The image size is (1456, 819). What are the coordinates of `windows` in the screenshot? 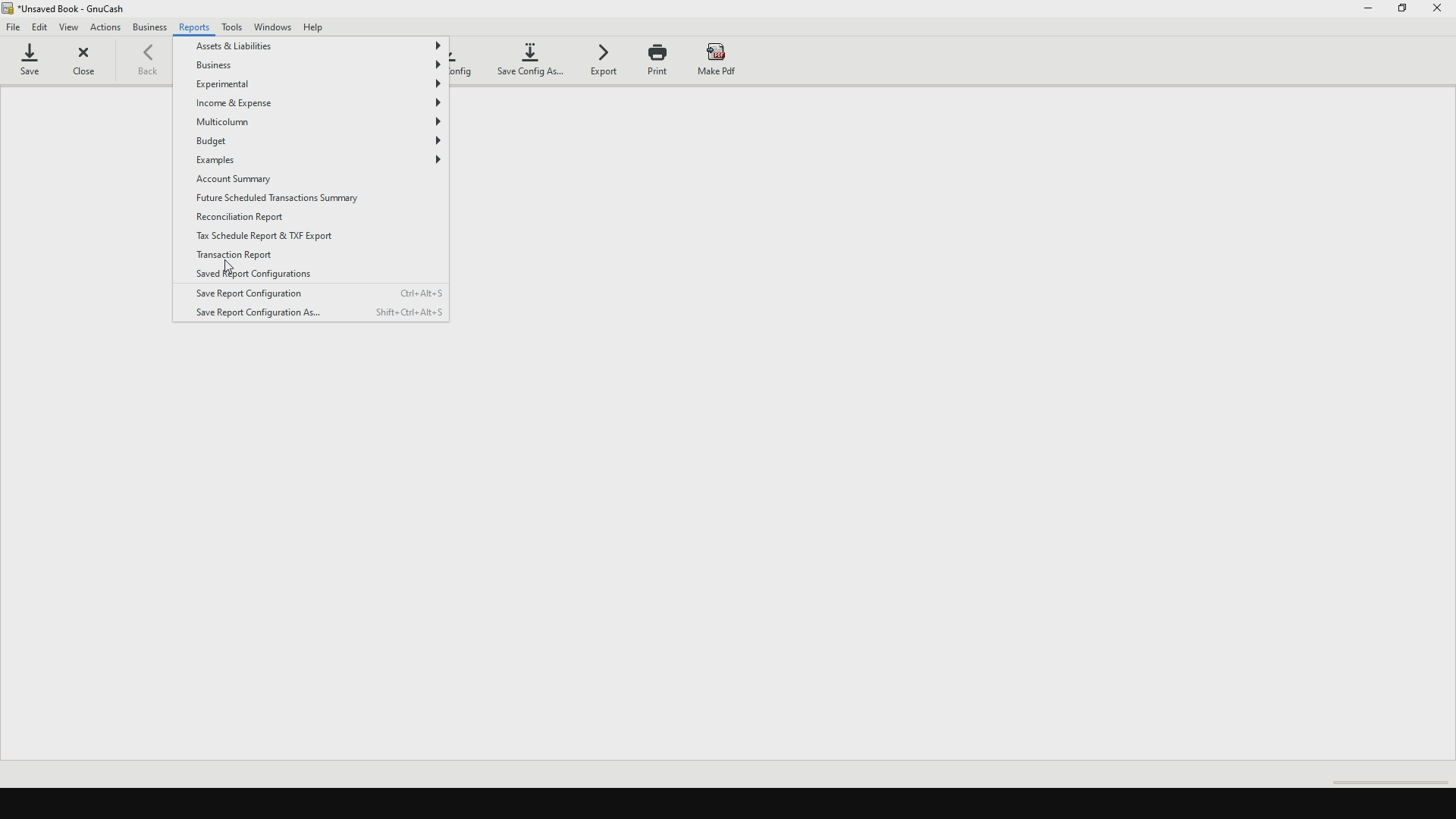 It's located at (275, 27).